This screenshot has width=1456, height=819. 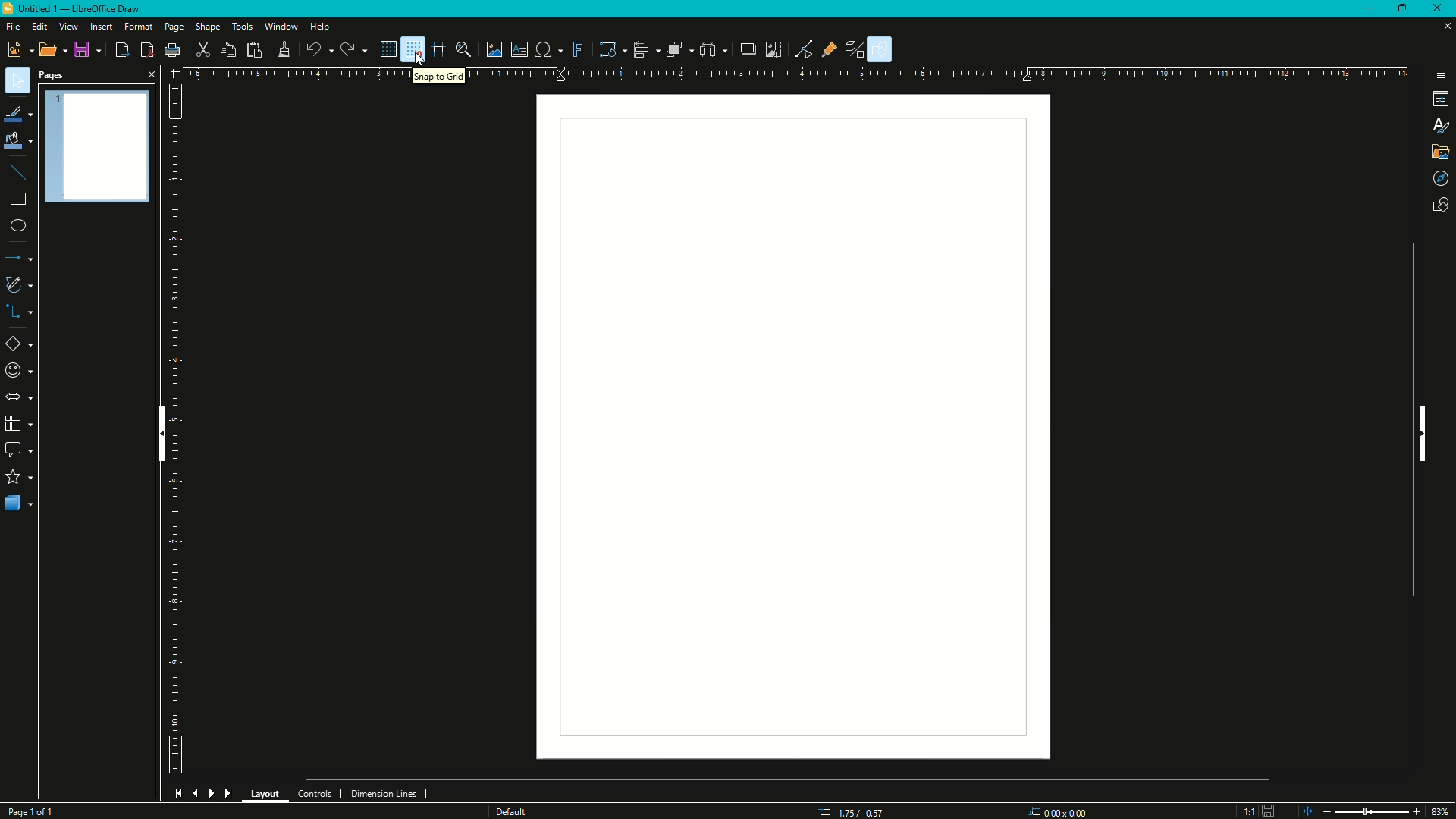 I want to click on Crop Image, so click(x=776, y=52).